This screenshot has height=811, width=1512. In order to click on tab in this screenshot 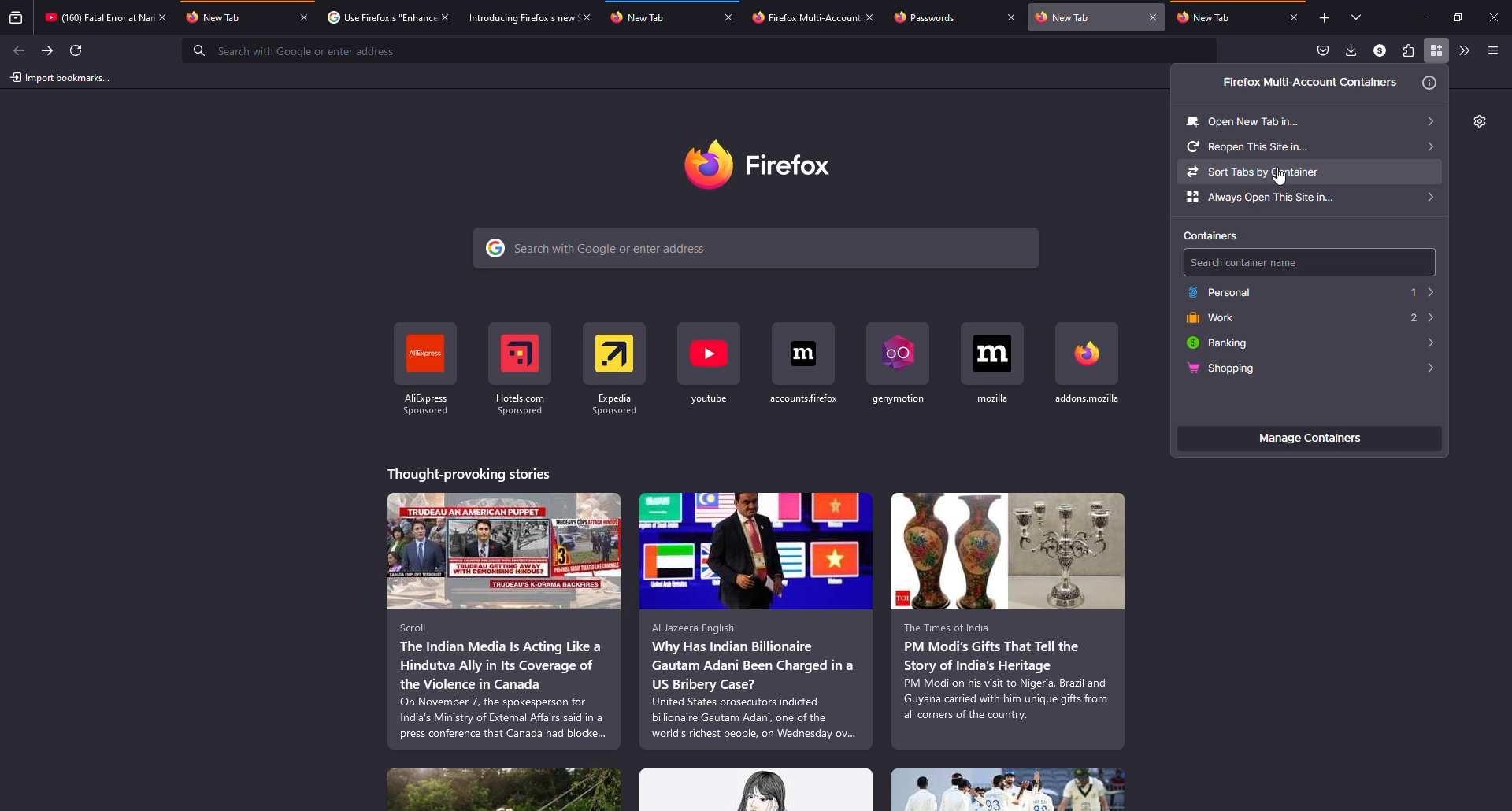, I will do `click(513, 17)`.